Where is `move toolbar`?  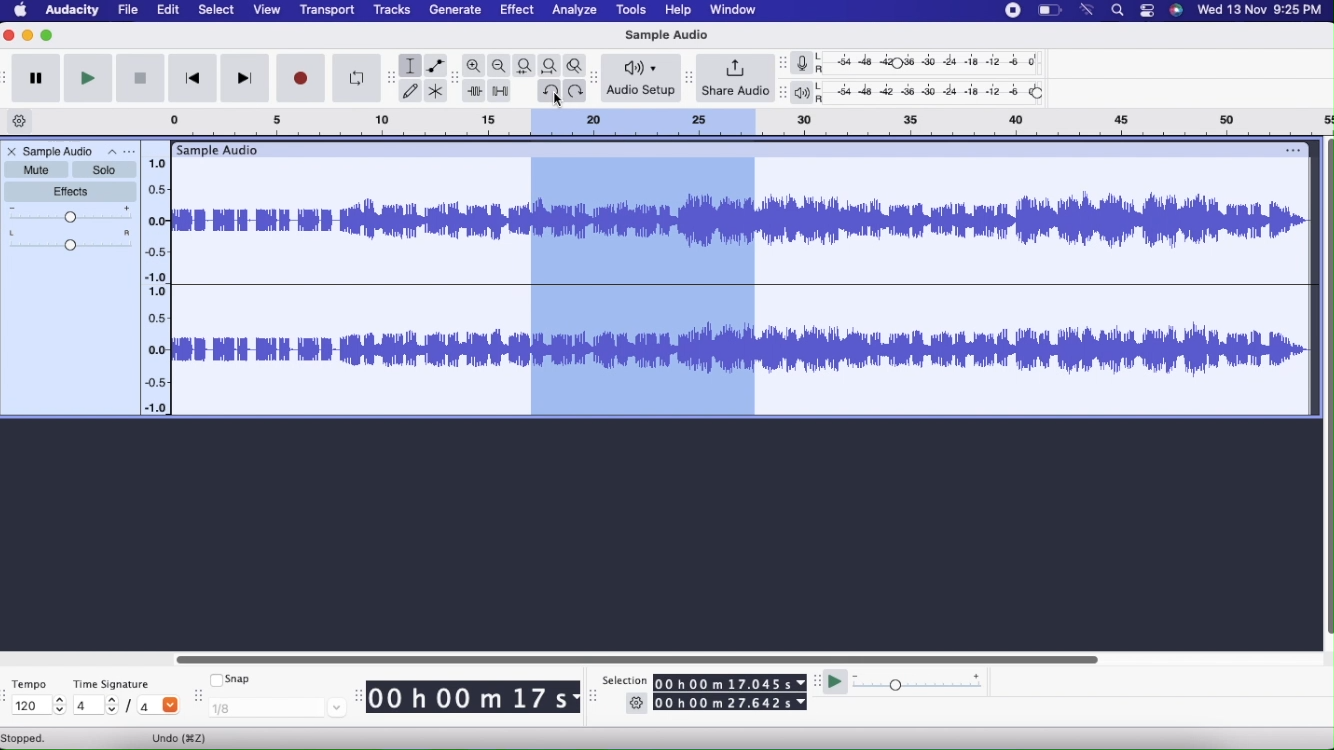
move toolbar is located at coordinates (8, 76).